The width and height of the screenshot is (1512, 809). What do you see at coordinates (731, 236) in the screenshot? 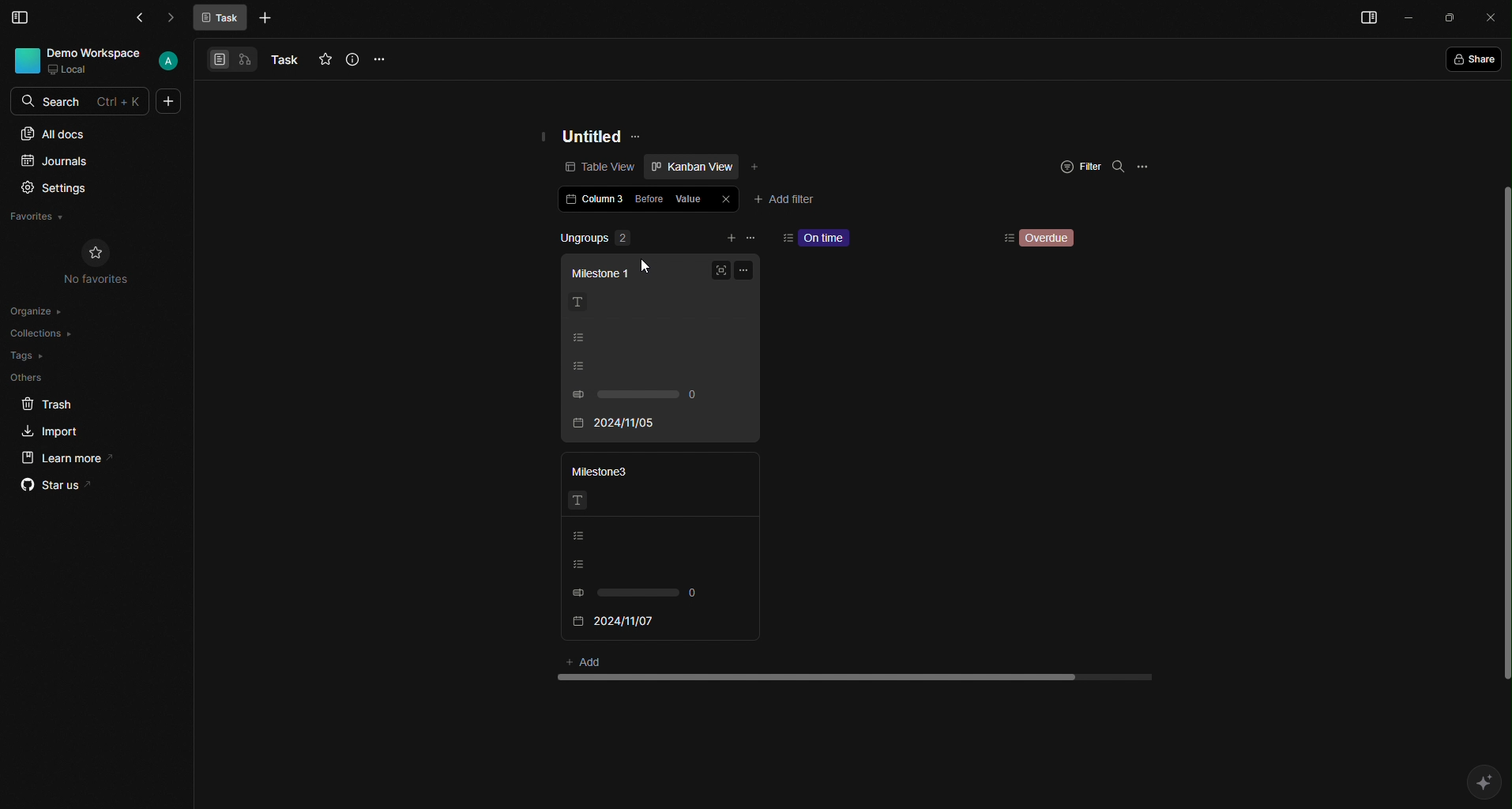
I see `add` at bounding box center [731, 236].